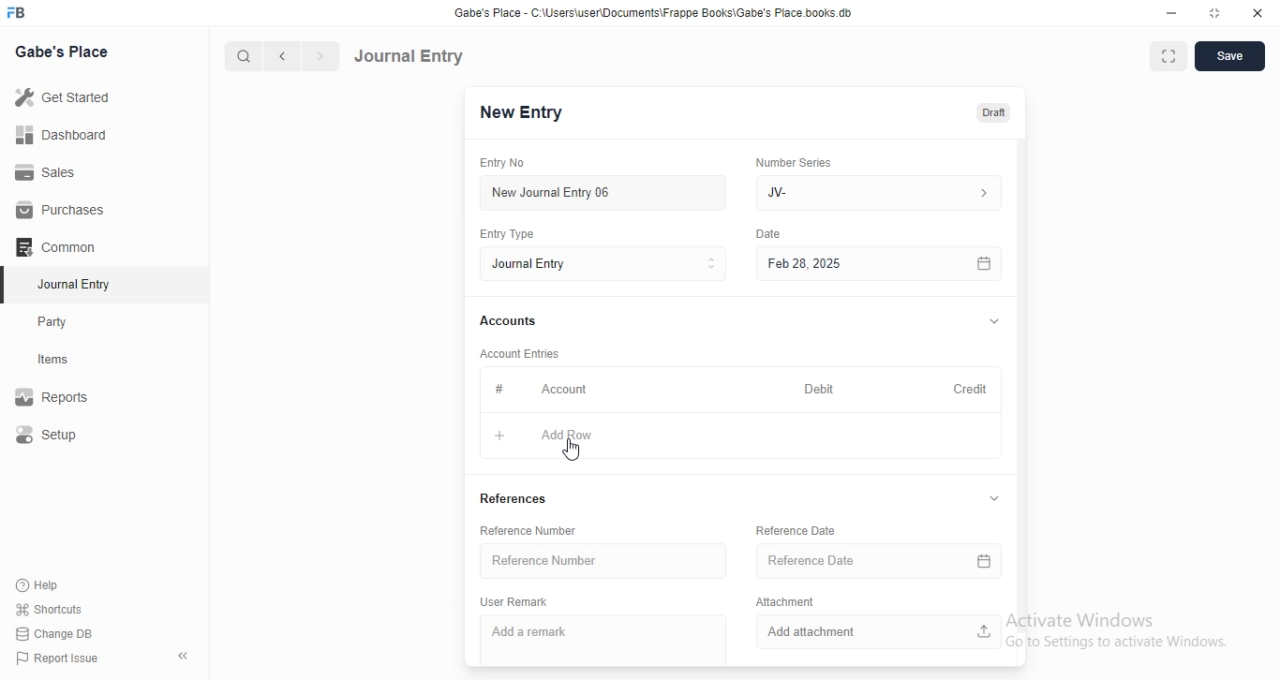 The width and height of the screenshot is (1280, 680). Describe the element at coordinates (984, 263) in the screenshot. I see `calender` at that location.